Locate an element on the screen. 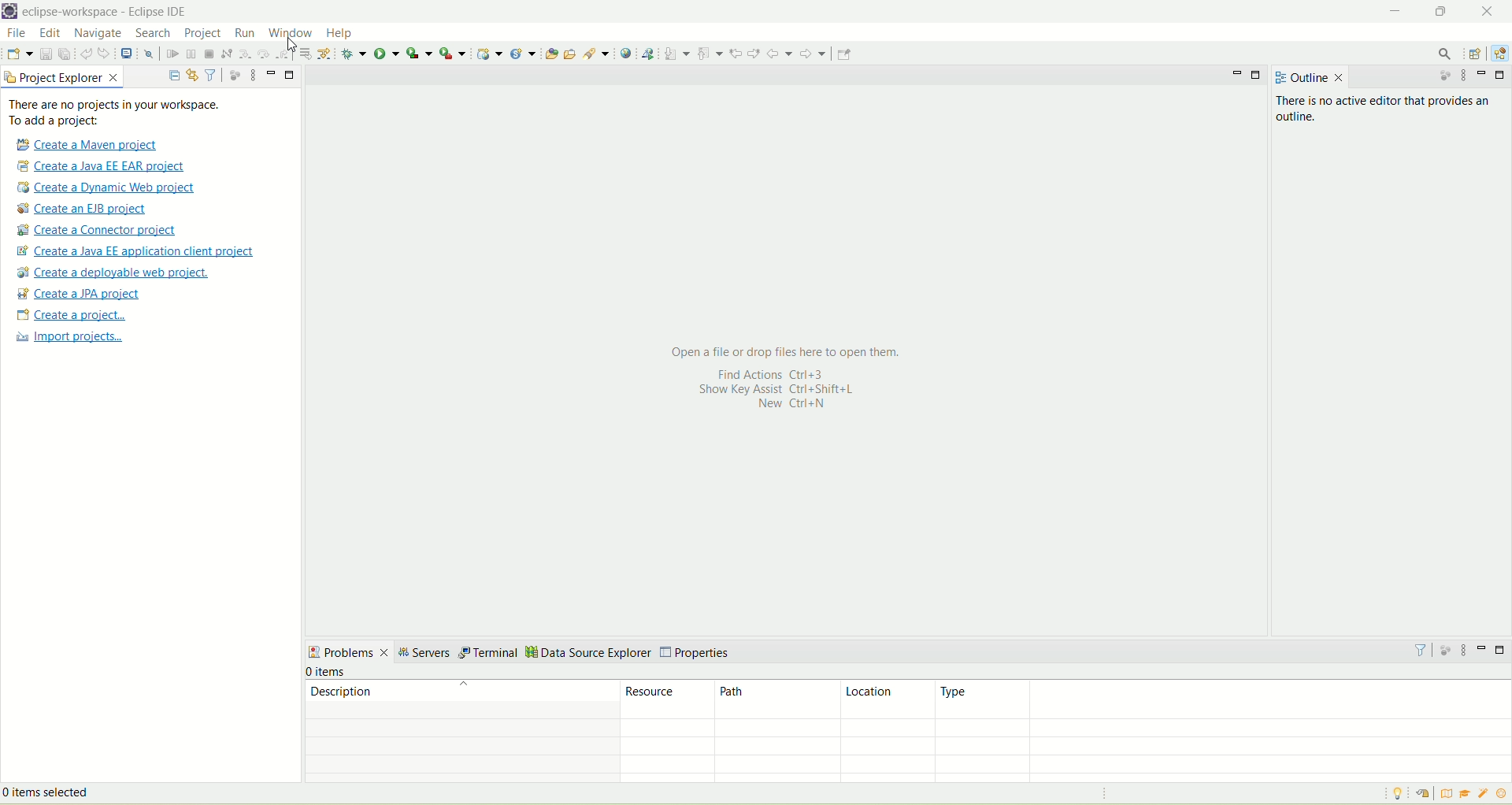 This screenshot has width=1512, height=805. use step filter is located at coordinates (328, 54).